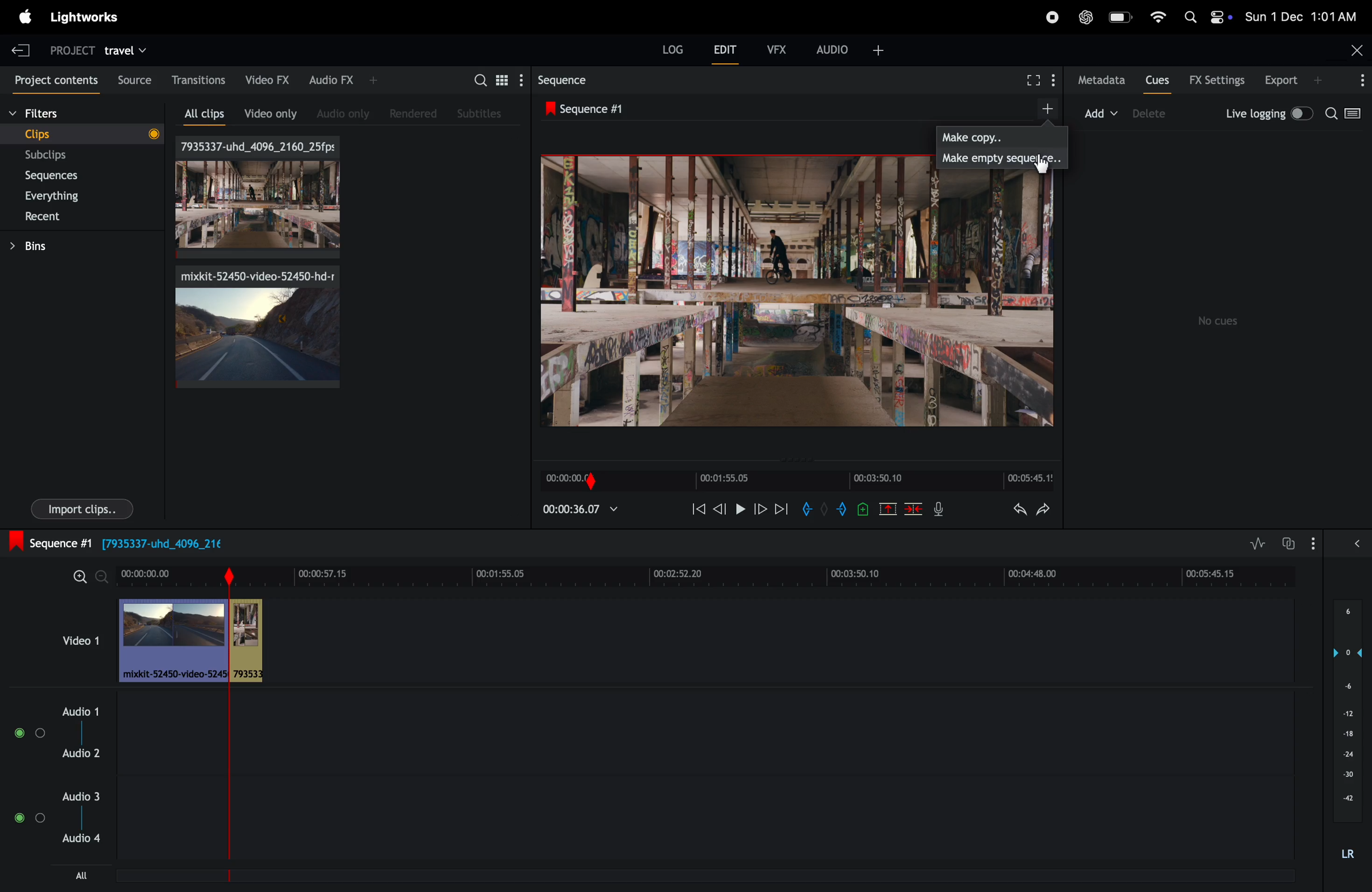 This screenshot has height=892, width=1372. What do you see at coordinates (914, 509) in the screenshot?
I see `delete clps` at bounding box center [914, 509].